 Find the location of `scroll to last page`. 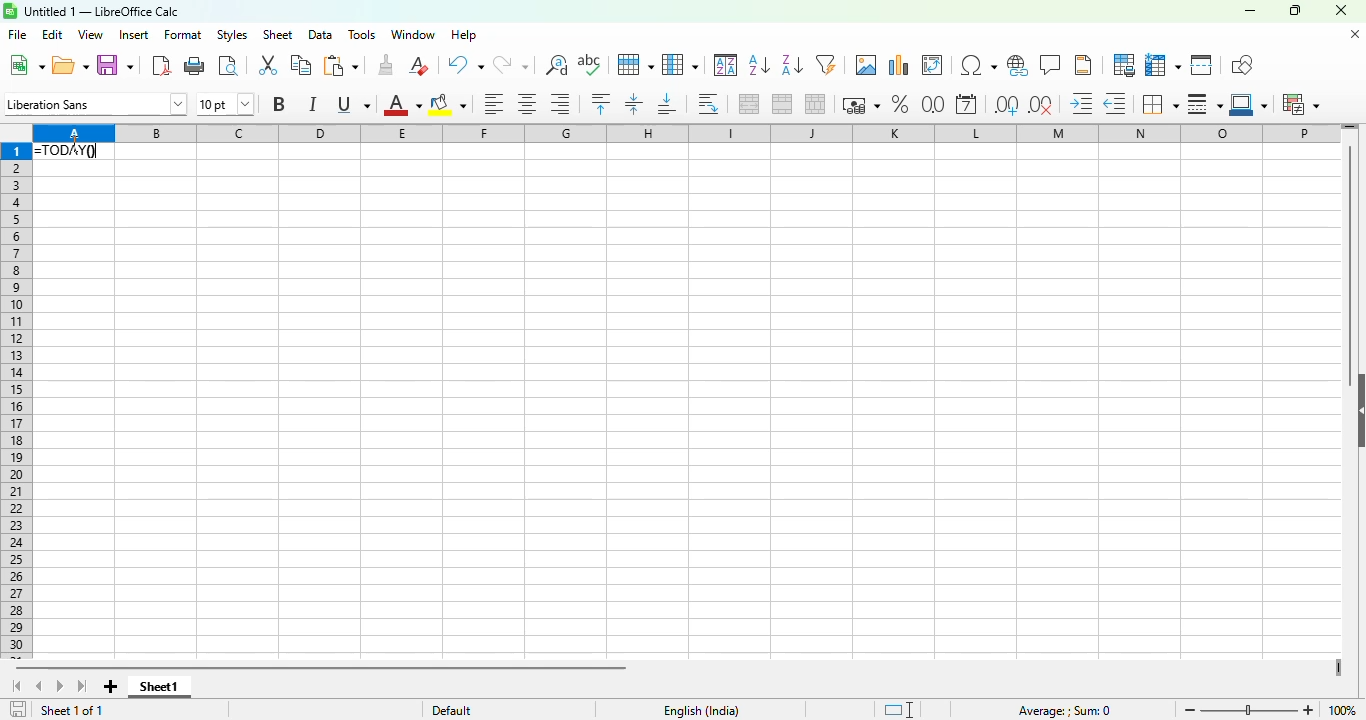

scroll to last page is located at coordinates (83, 687).